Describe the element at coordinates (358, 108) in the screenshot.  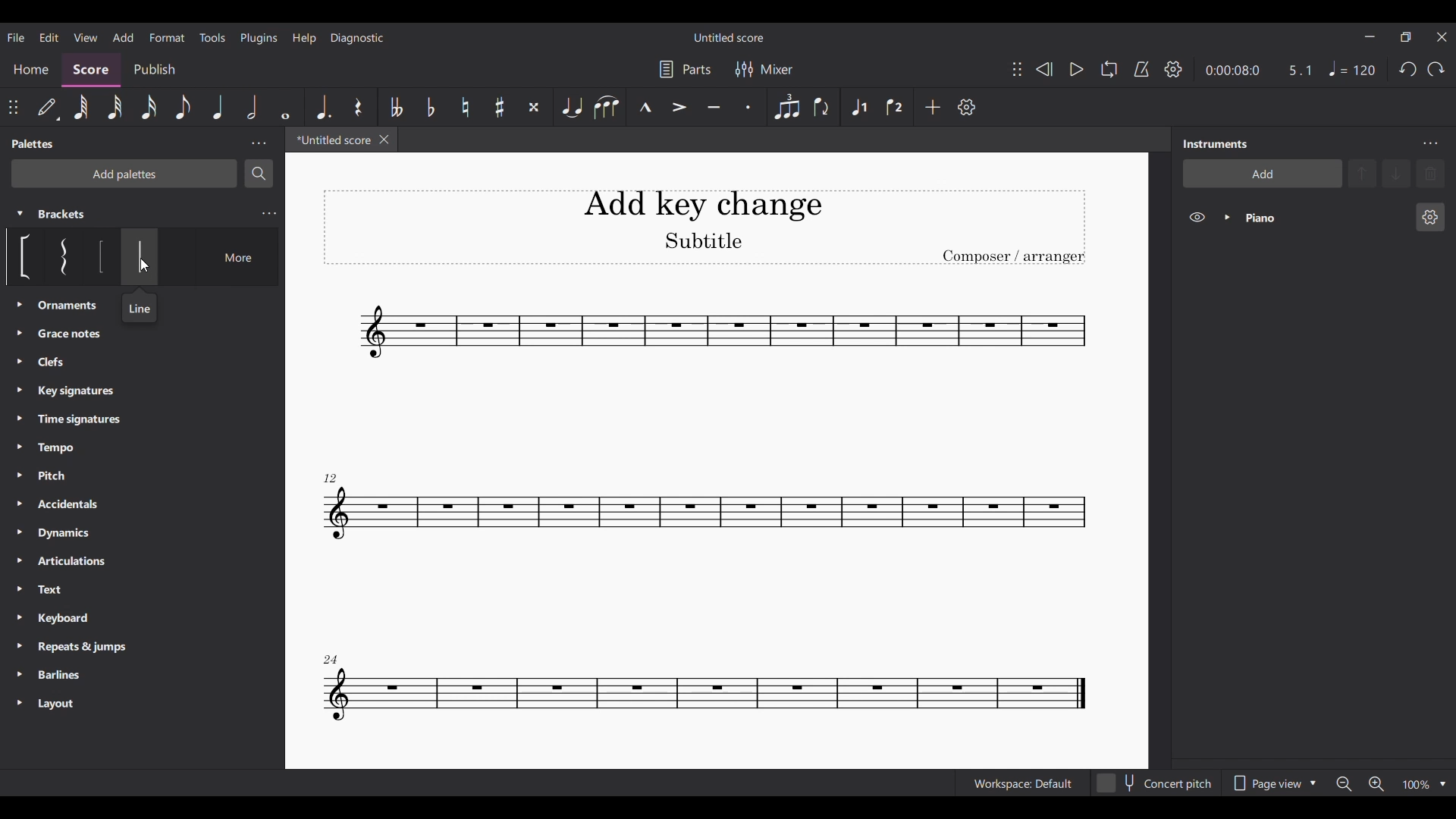
I see `Rest` at that location.